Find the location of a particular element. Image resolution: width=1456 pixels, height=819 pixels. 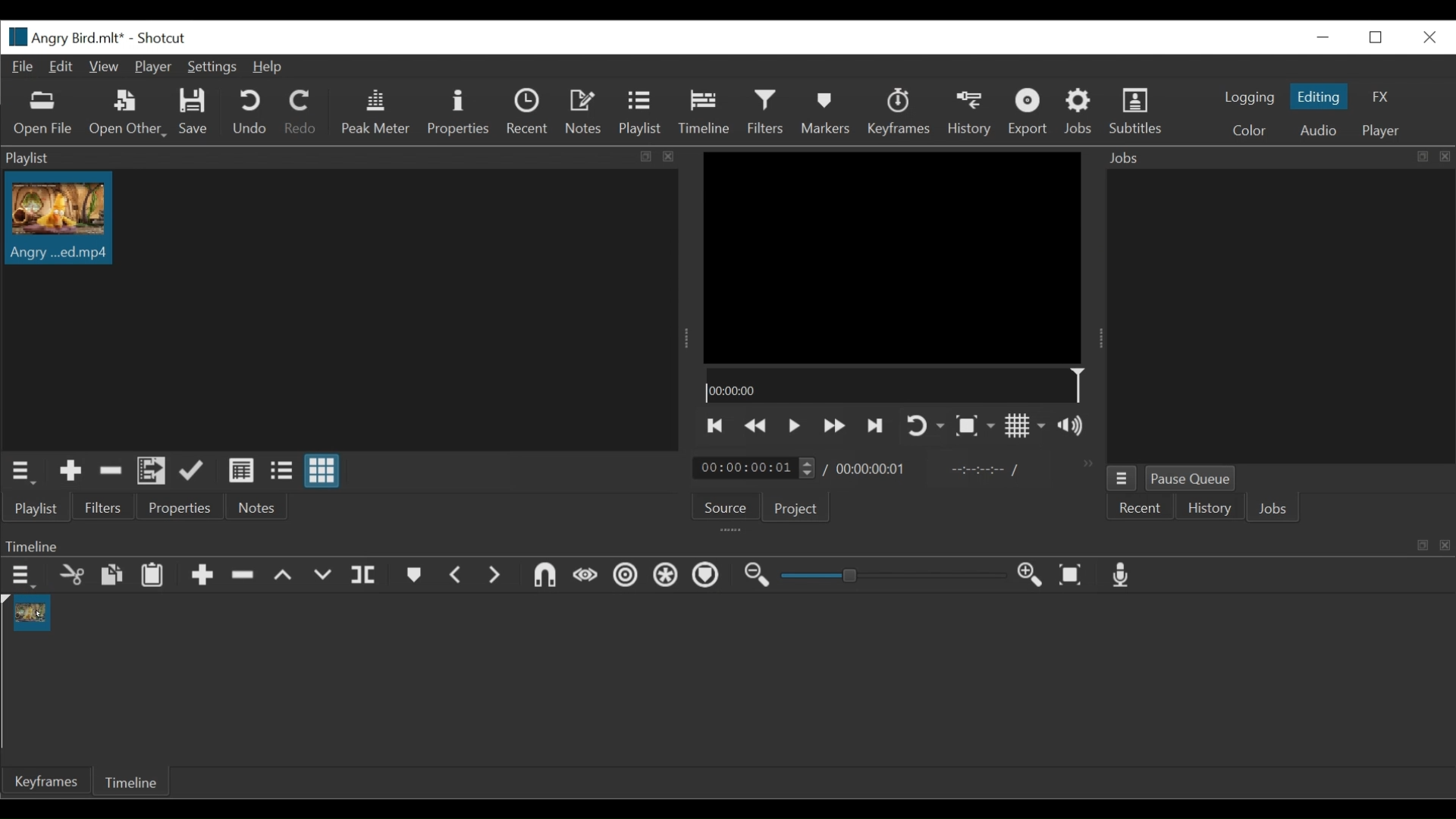

Recent is located at coordinates (529, 113).